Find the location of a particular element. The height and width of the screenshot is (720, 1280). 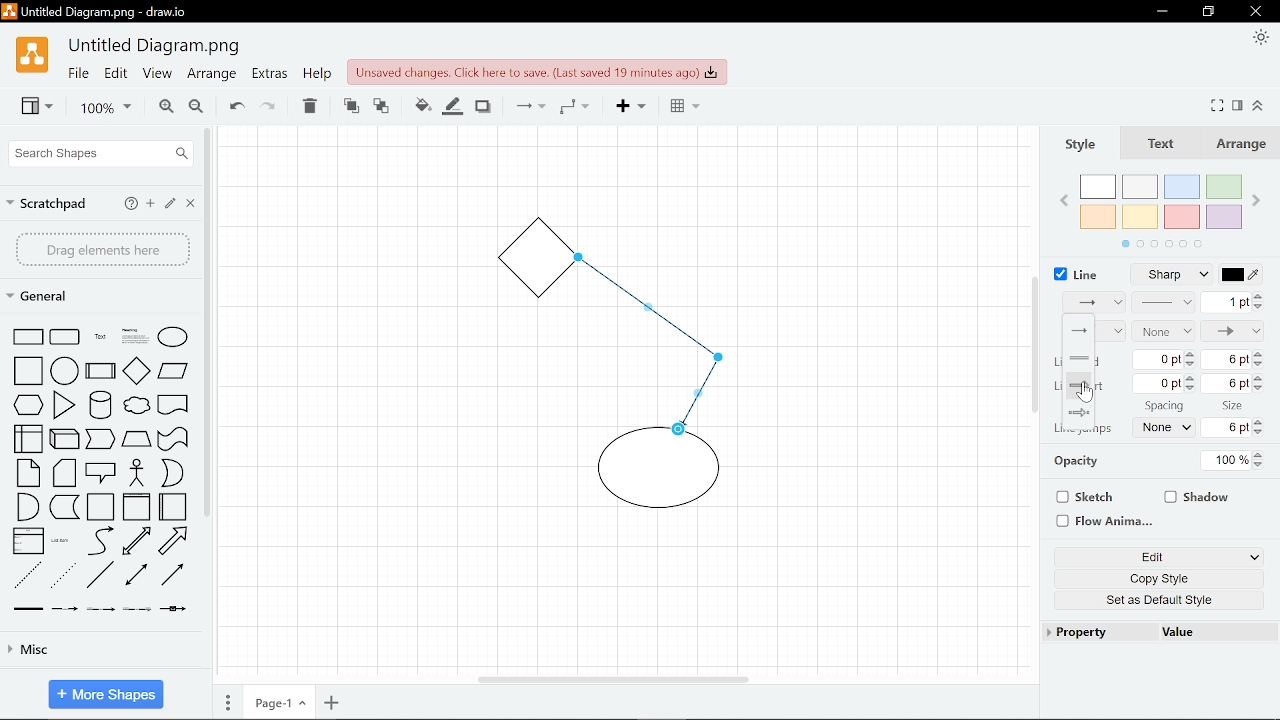

shape is located at coordinates (23, 439).